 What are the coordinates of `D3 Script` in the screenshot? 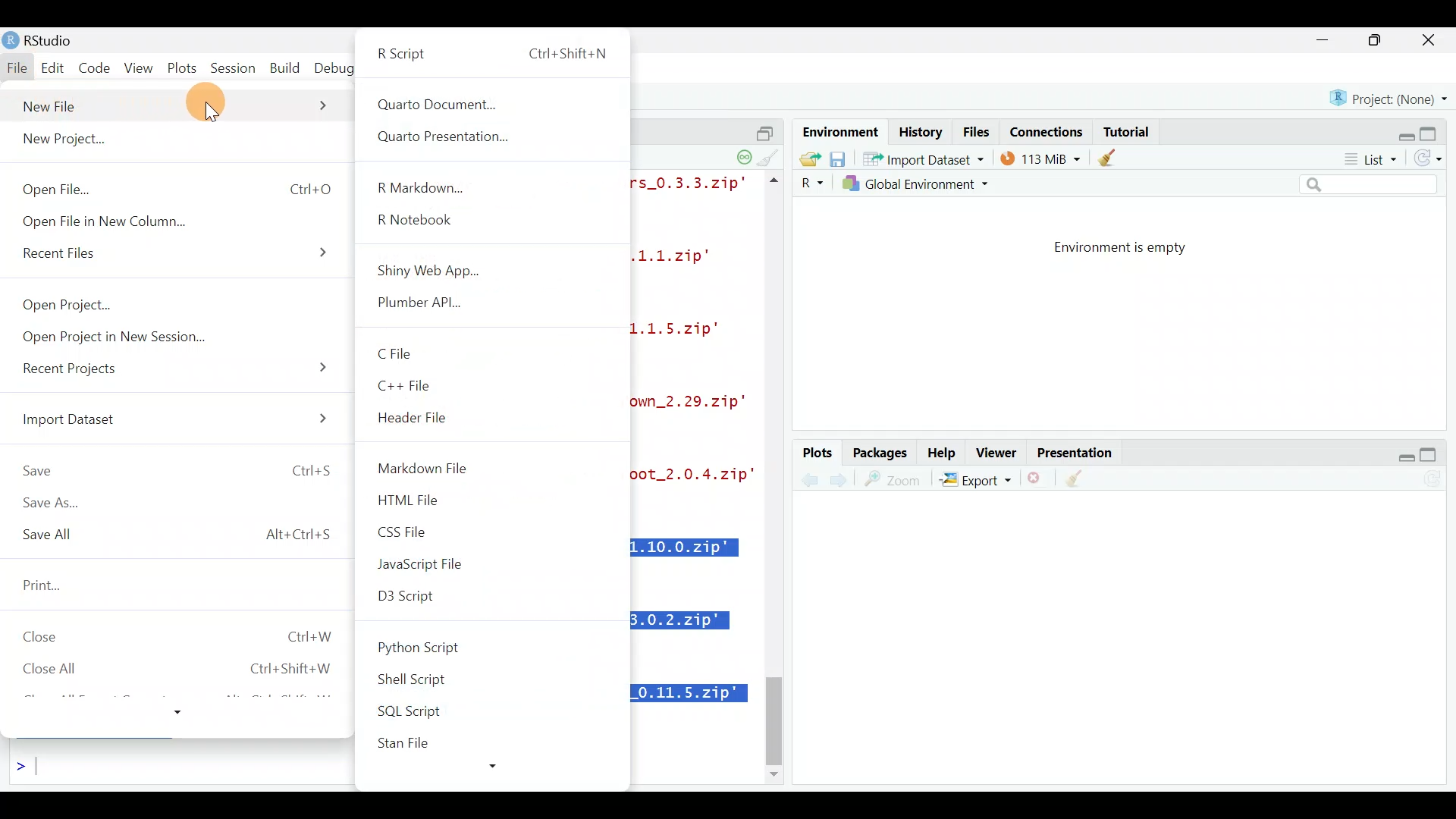 It's located at (420, 600).